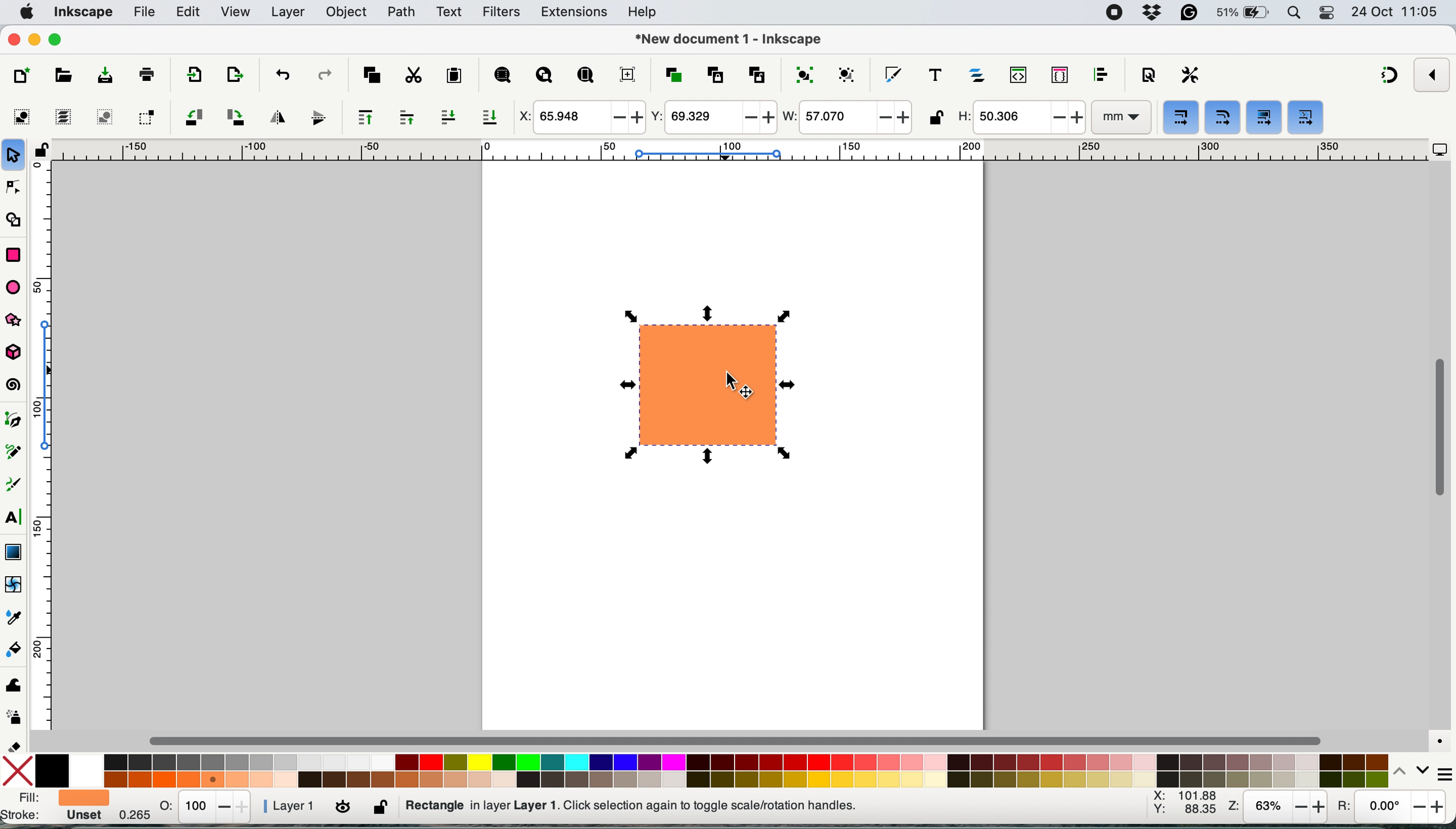 This screenshot has width=1456, height=829. Describe the element at coordinates (1016, 75) in the screenshot. I see `xml editor` at that location.